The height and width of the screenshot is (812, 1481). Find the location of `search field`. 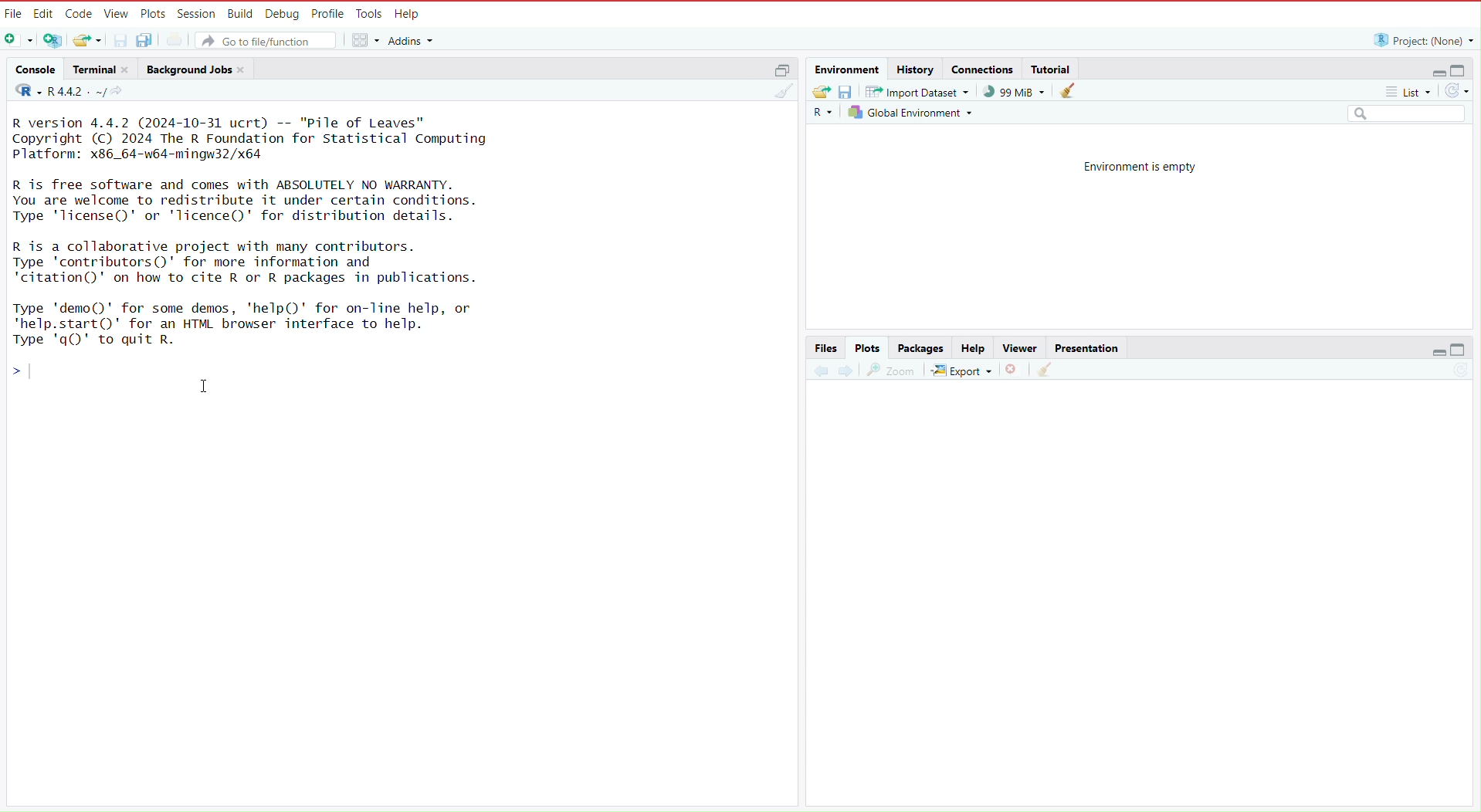

search field is located at coordinates (1409, 114).